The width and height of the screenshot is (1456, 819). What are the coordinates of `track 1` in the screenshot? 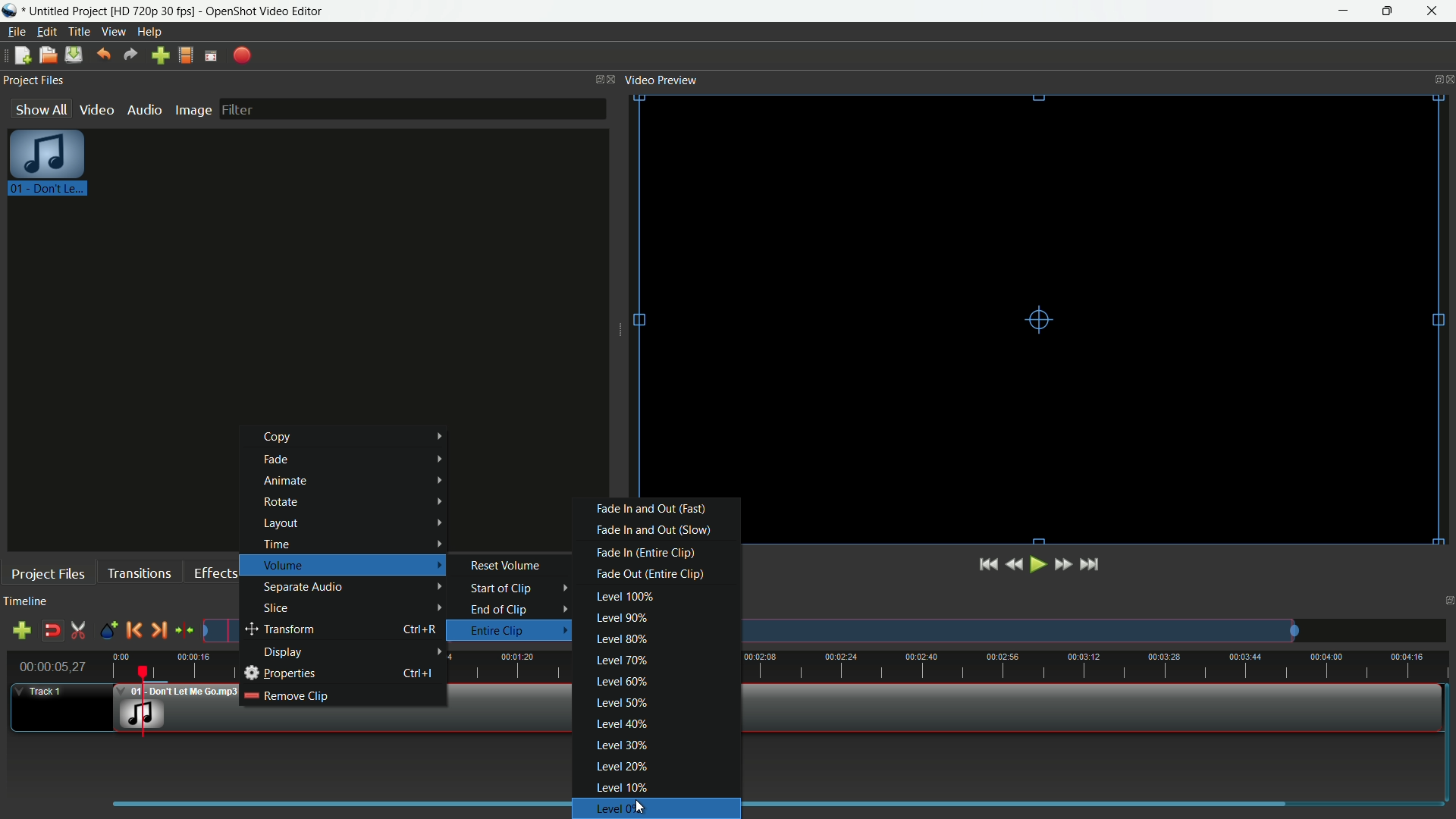 It's located at (39, 692).